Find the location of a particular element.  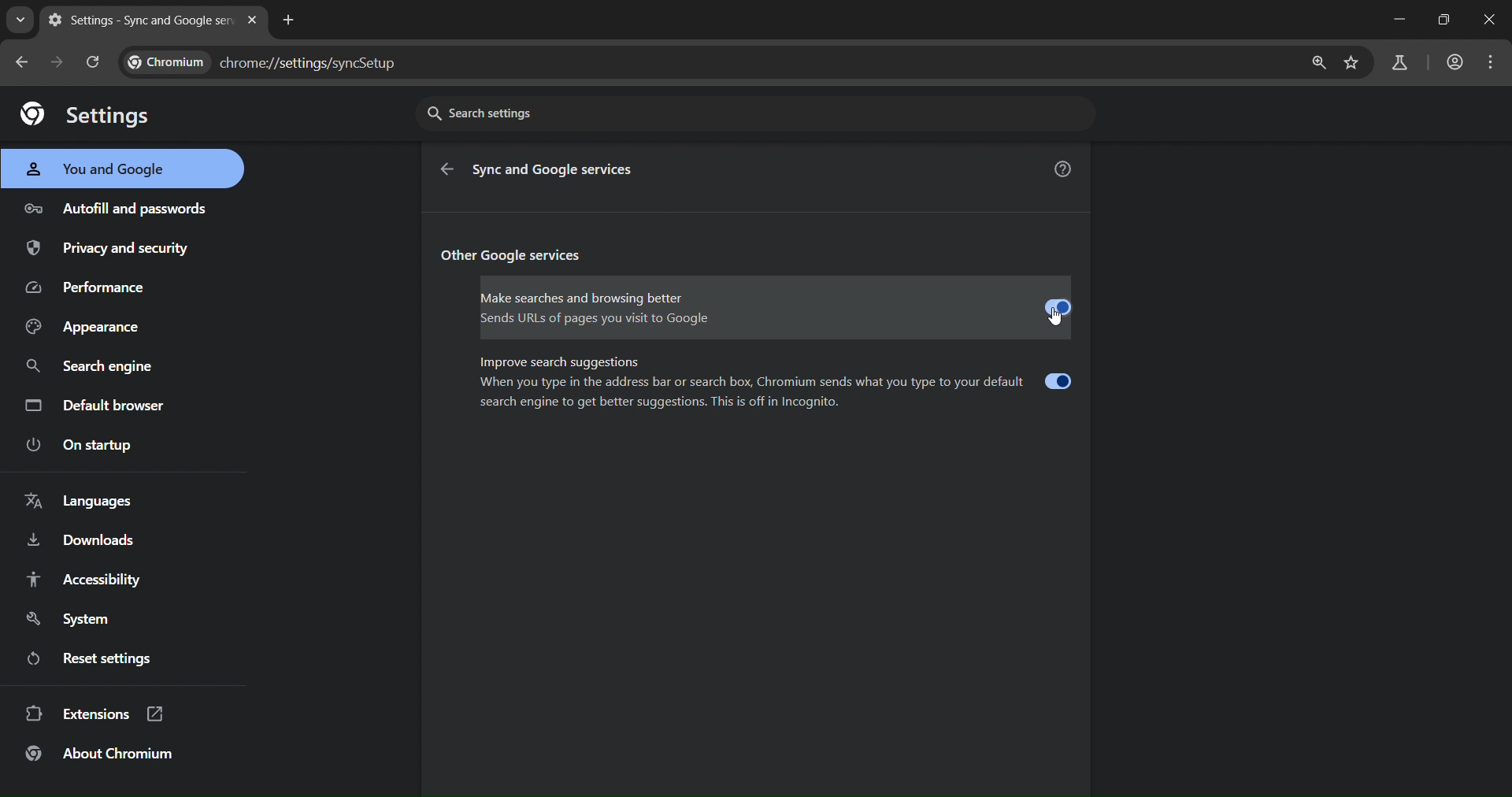

on startup is located at coordinates (93, 445).